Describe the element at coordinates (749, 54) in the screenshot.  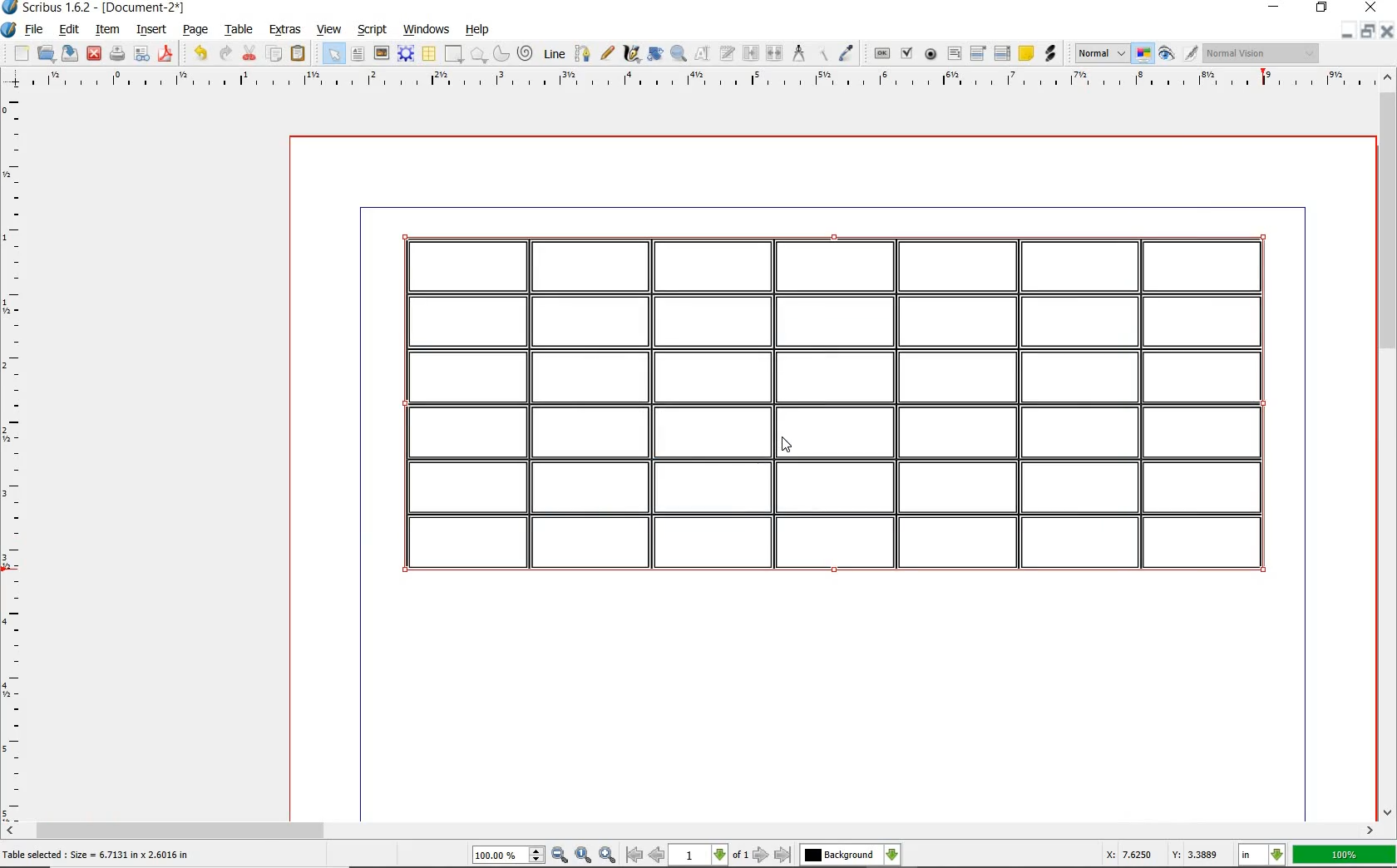
I see `link text frame` at that location.